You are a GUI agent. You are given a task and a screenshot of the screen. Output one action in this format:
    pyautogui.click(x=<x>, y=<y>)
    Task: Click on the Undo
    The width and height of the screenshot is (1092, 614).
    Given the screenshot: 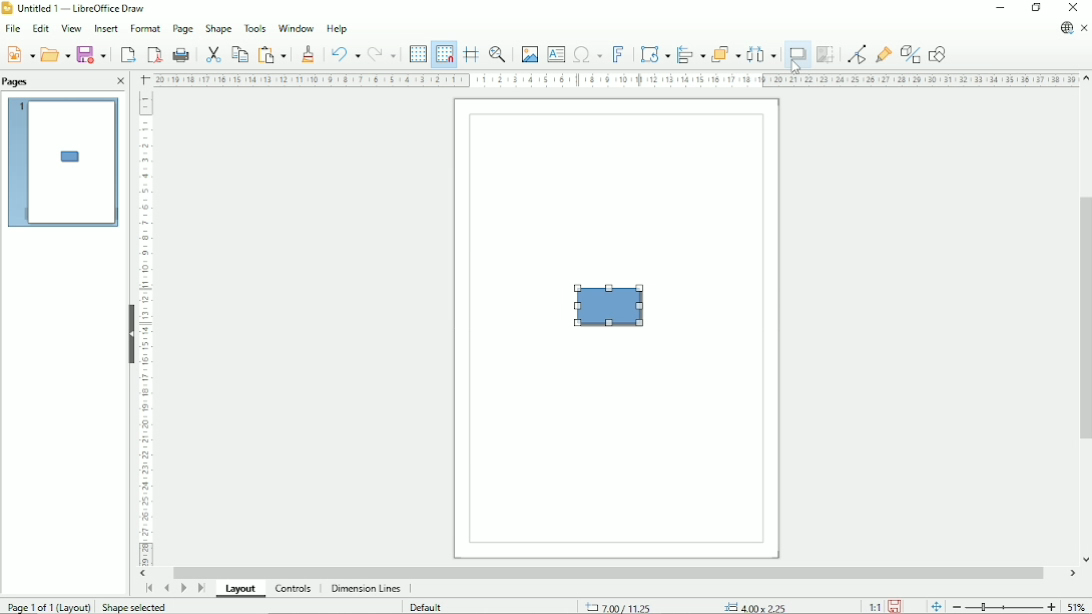 What is the action you would take?
    pyautogui.click(x=343, y=54)
    